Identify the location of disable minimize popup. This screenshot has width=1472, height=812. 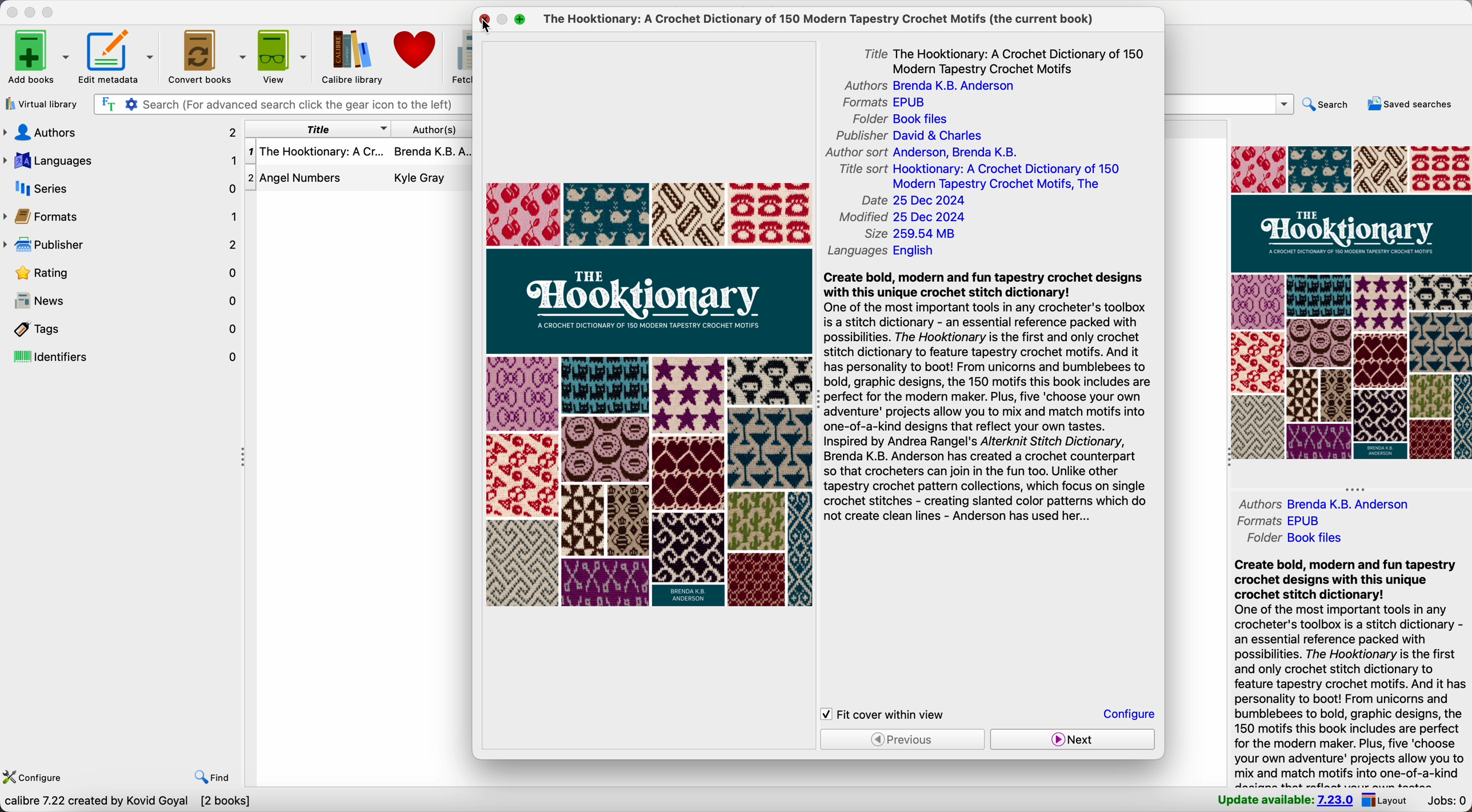
(505, 20).